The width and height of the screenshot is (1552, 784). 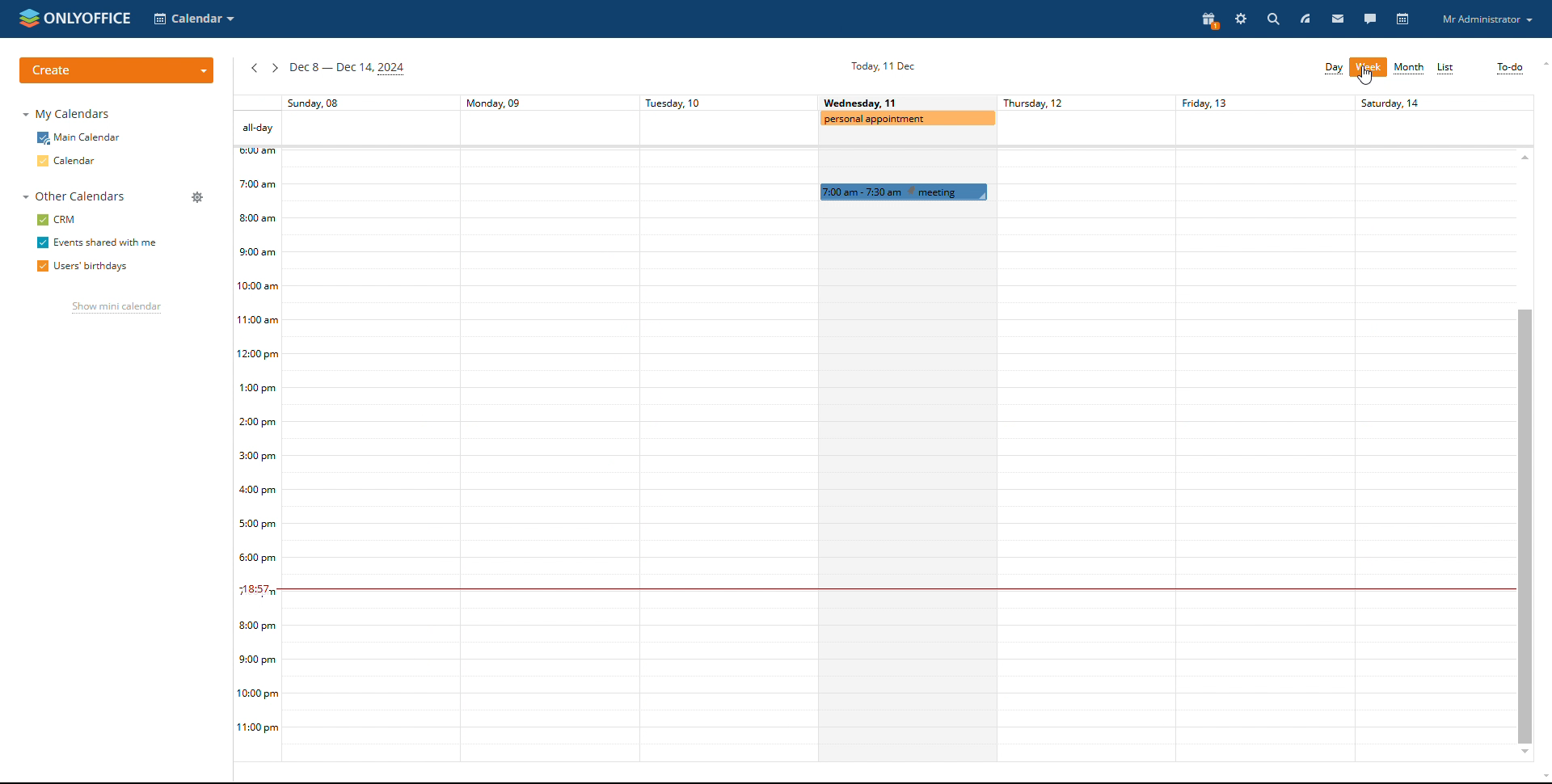 I want to click on list view, so click(x=1445, y=67).